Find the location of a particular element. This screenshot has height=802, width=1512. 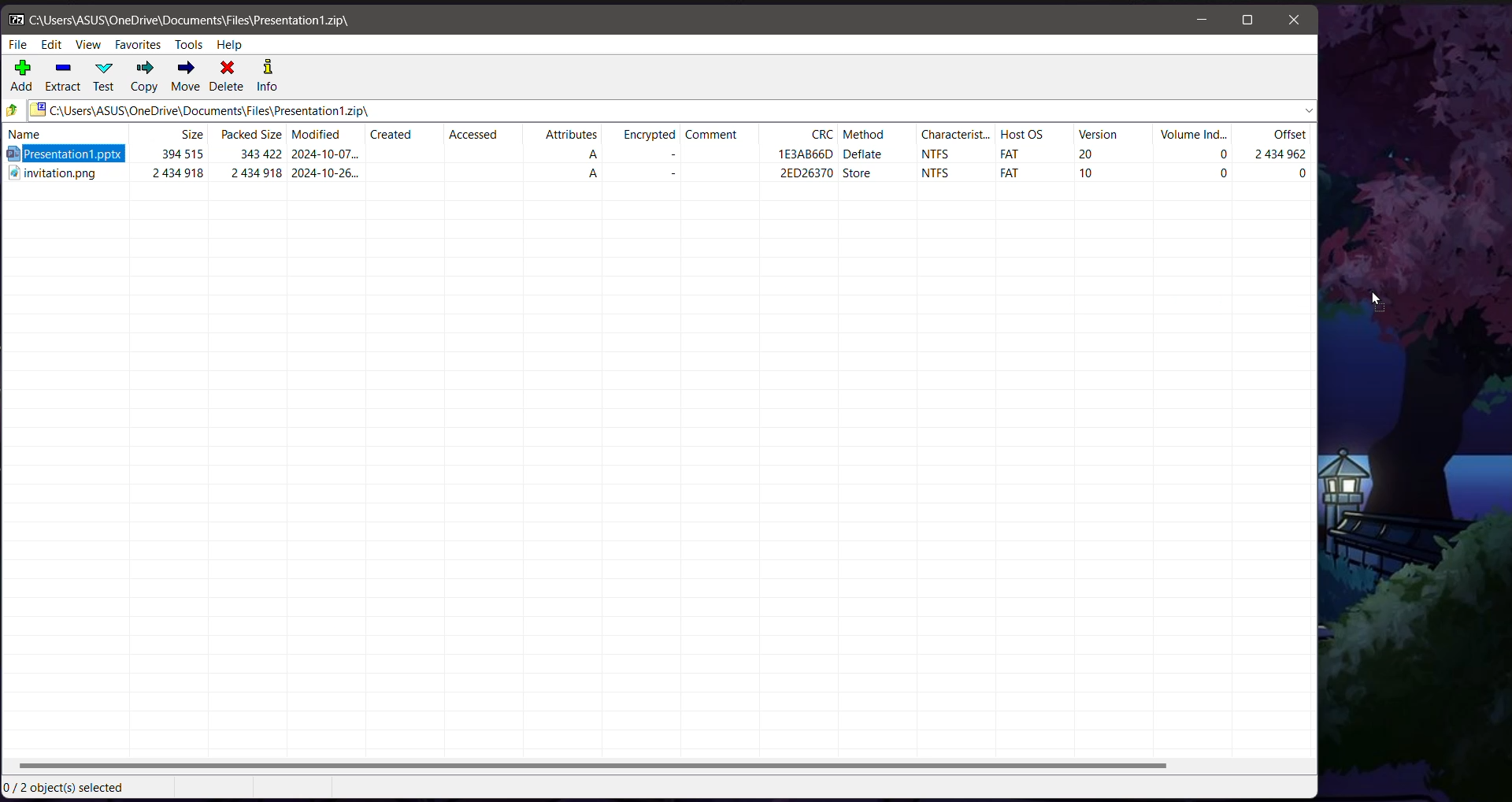

Test is located at coordinates (106, 77).